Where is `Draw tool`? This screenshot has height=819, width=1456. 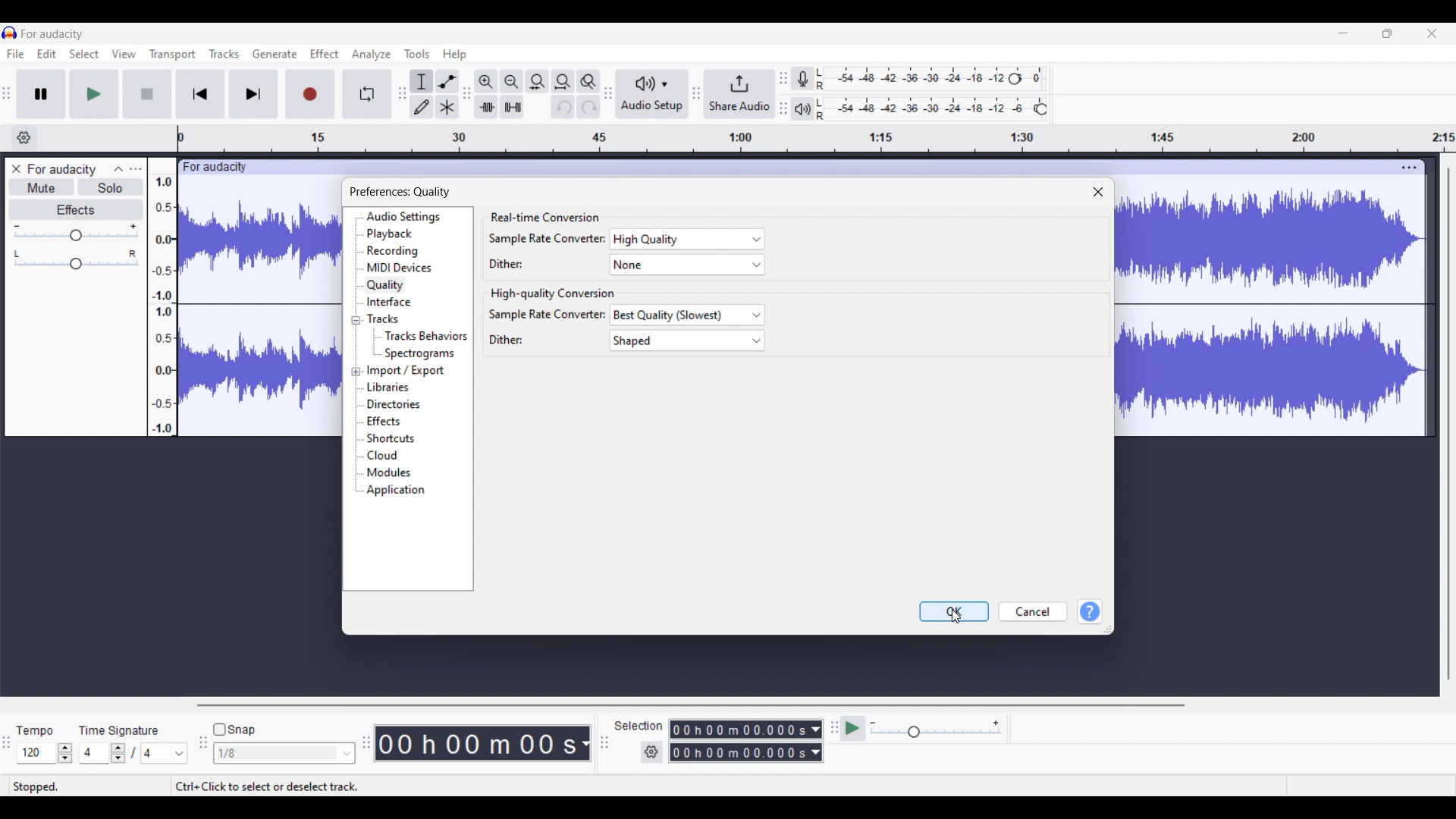 Draw tool is located at coordinates (422, 107).